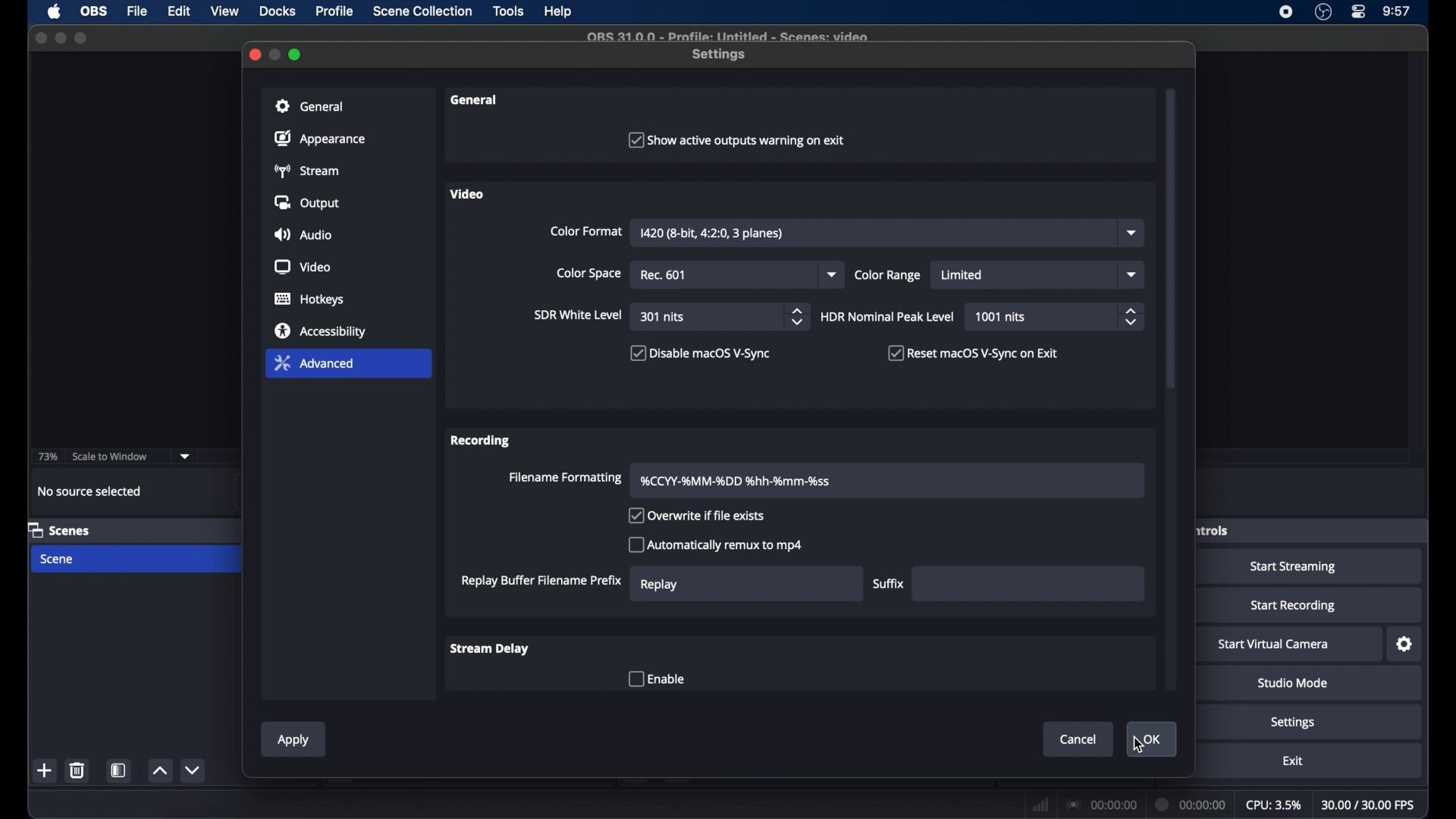 The height and width of the screenshot is (819, 1456). Describe the element at coordinates (306, 202) in the screenshot. I see `output` at that location.